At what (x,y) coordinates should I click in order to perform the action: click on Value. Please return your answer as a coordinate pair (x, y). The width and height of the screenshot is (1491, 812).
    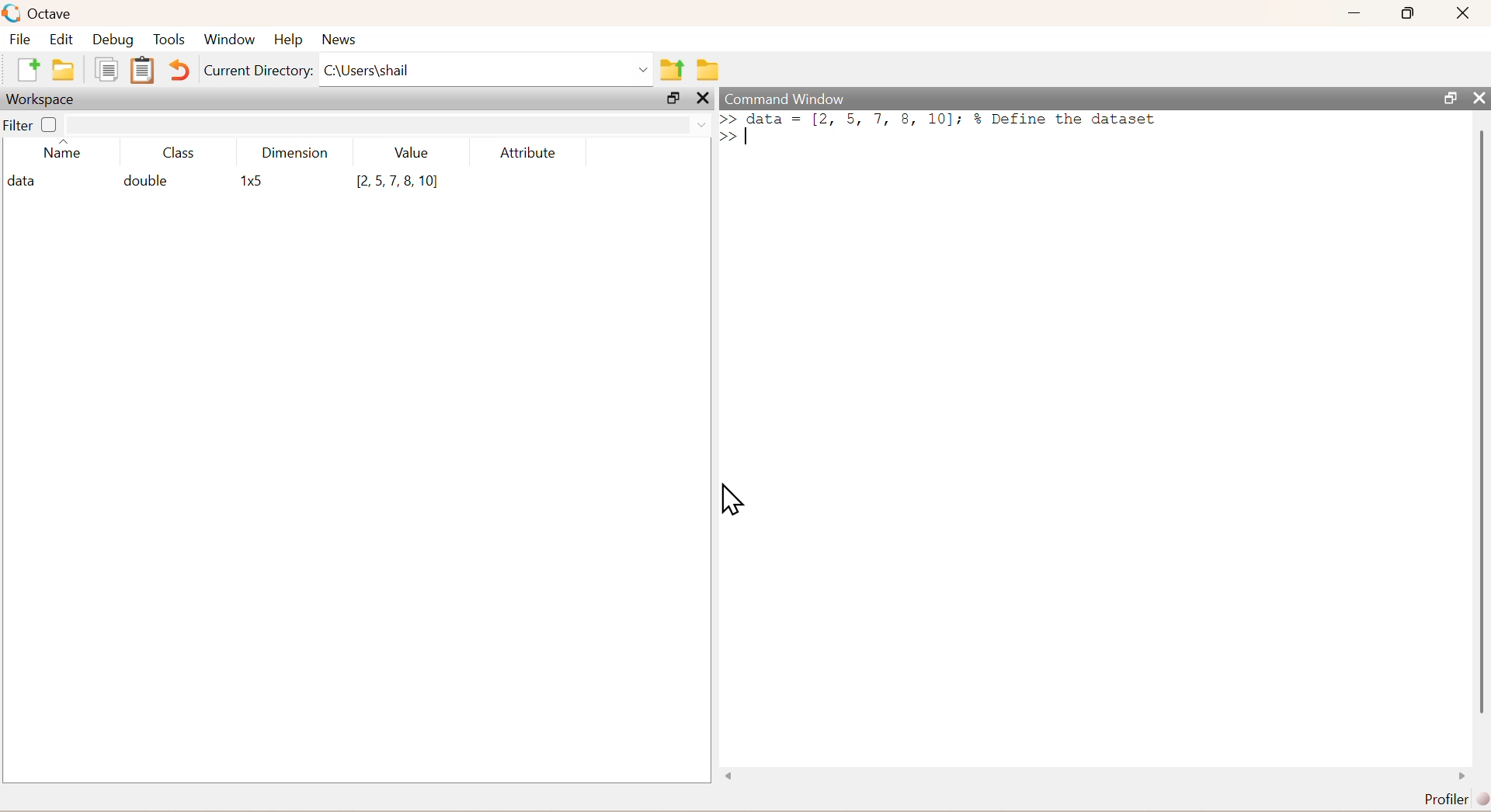
    Looking at the image, I should click on (412, 152).